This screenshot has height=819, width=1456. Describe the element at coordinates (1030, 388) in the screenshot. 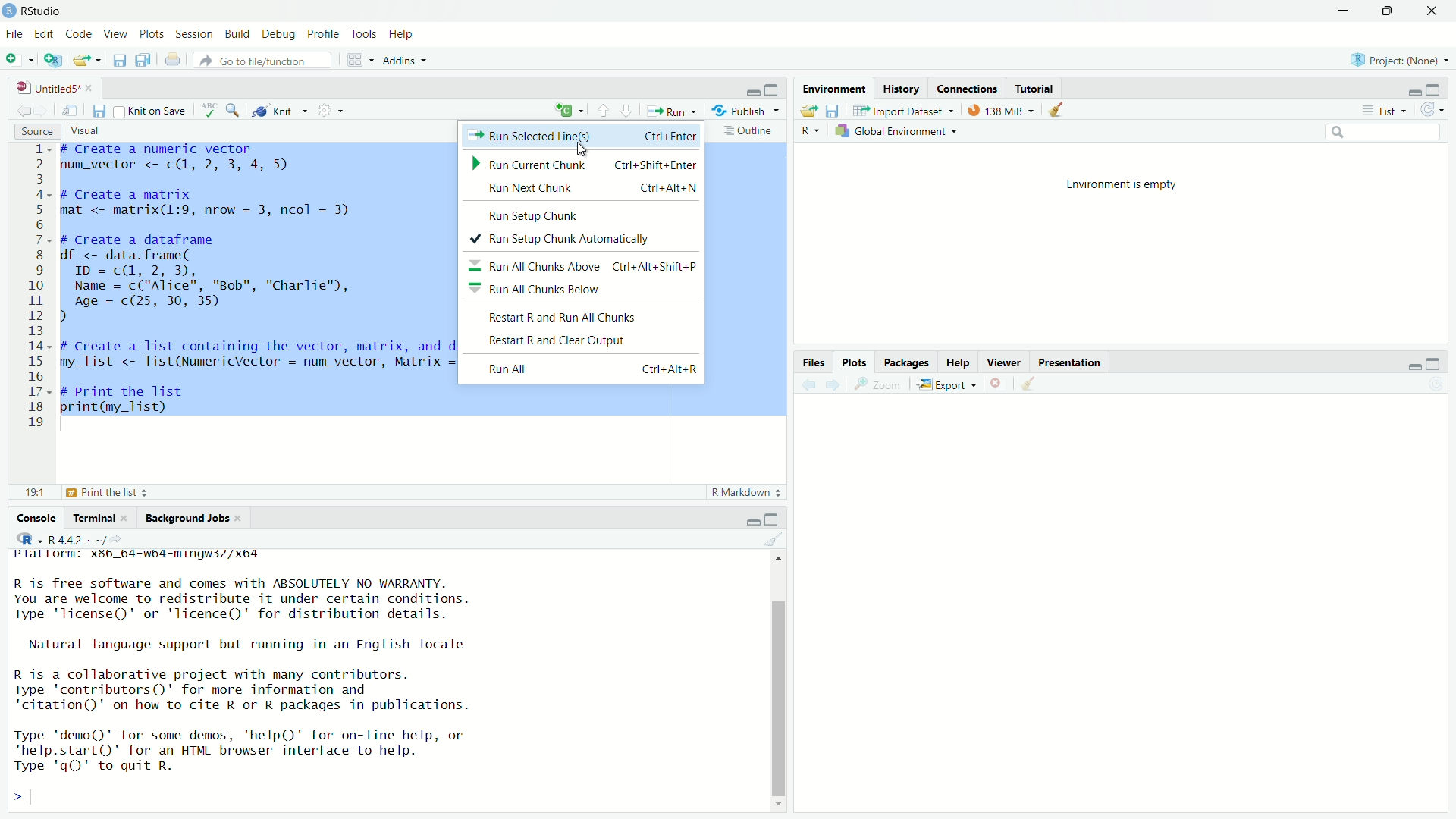

I see `clear` at that location.